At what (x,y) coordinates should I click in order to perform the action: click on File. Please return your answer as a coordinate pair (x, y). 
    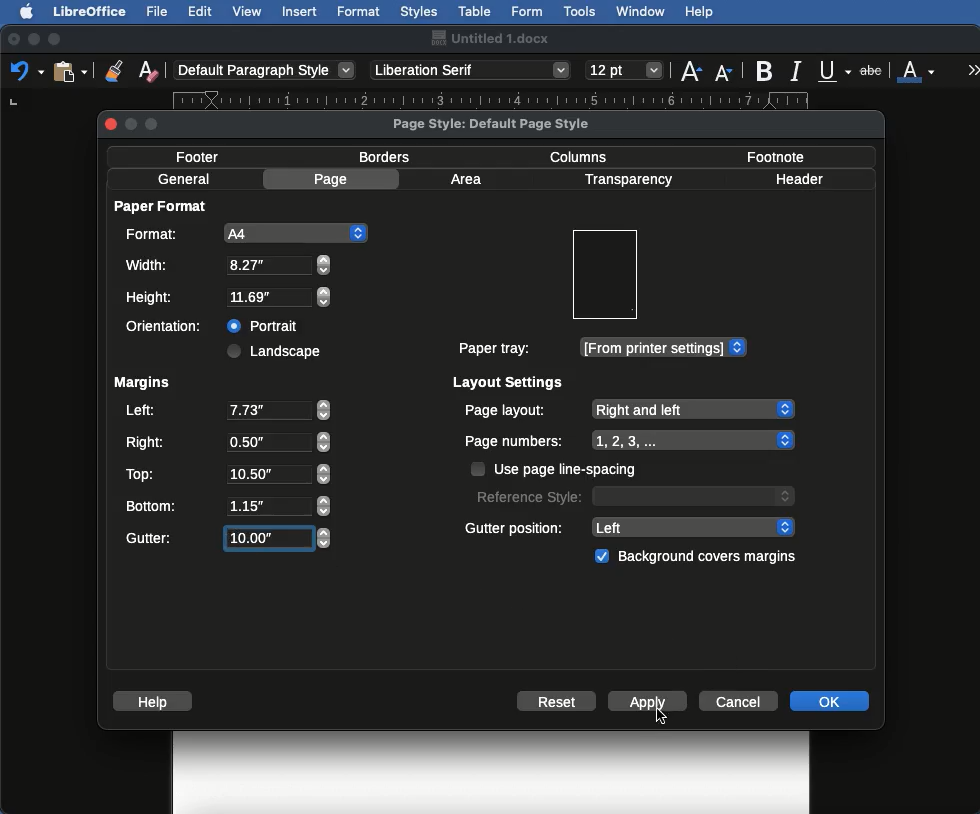
    Looking at the image, I should click on (159, 11).